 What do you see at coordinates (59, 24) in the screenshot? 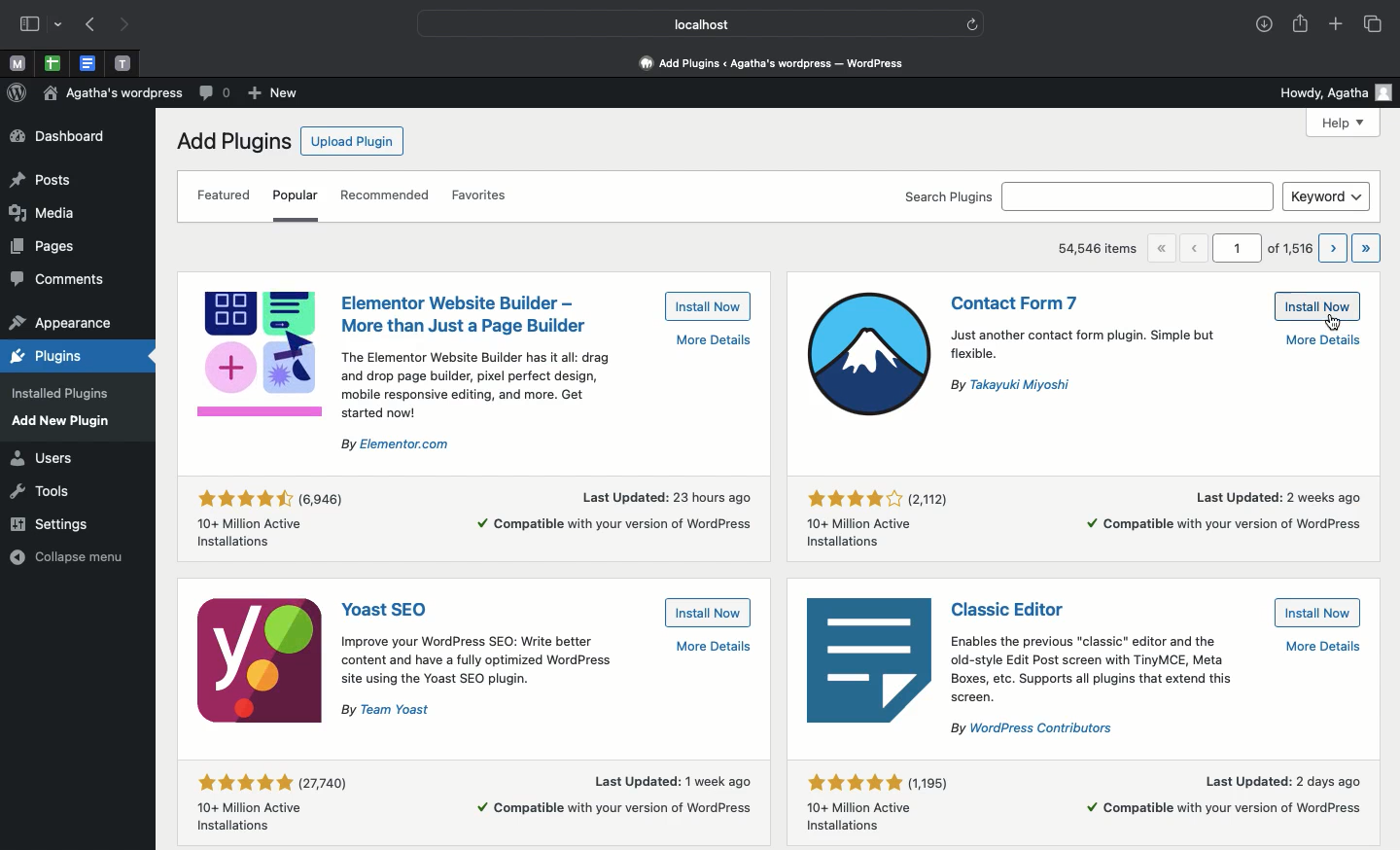
I see `drop-down` at bounding box center [59, 24].